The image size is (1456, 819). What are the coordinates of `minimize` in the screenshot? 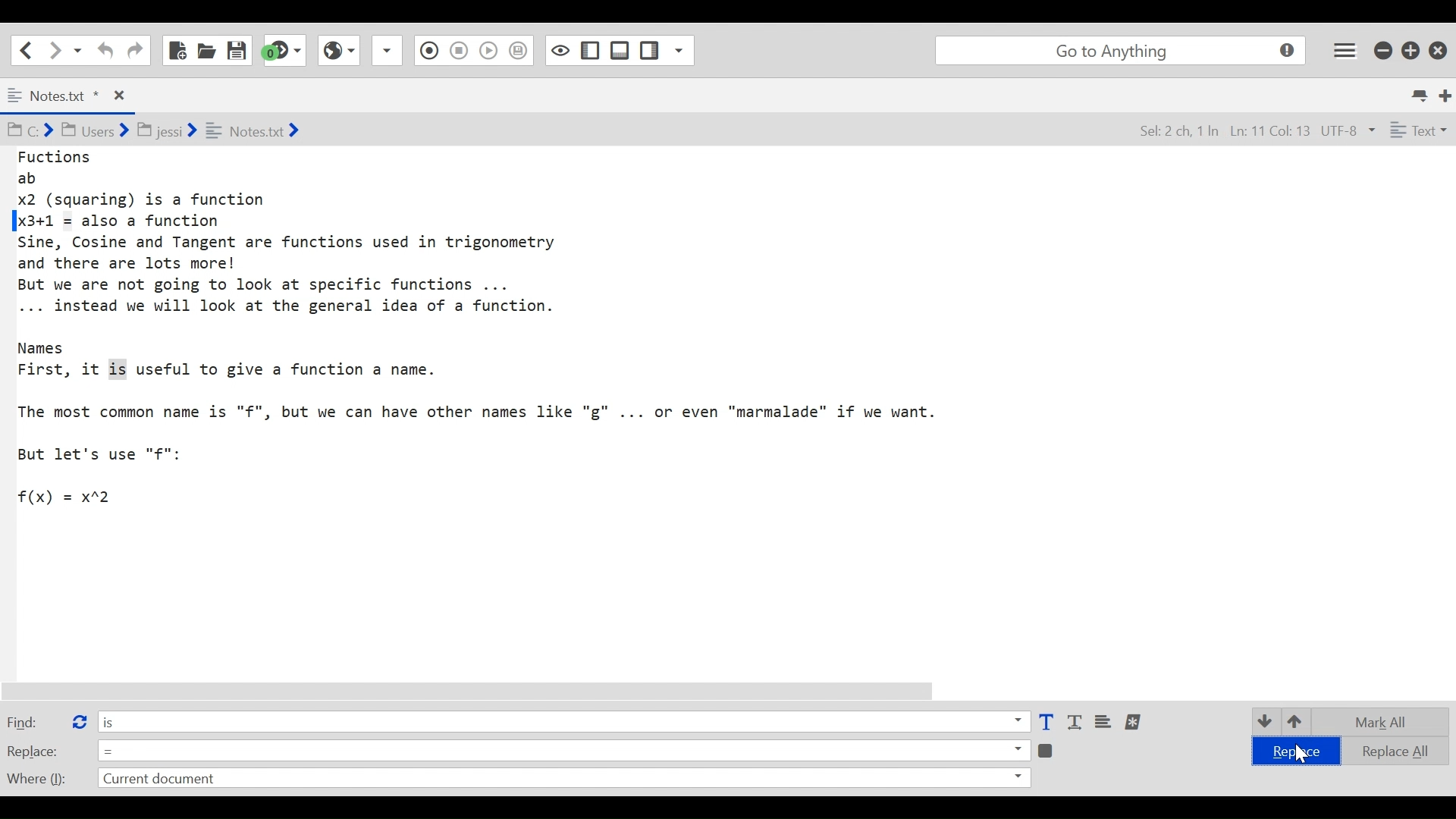 It's located at (1385, 49).